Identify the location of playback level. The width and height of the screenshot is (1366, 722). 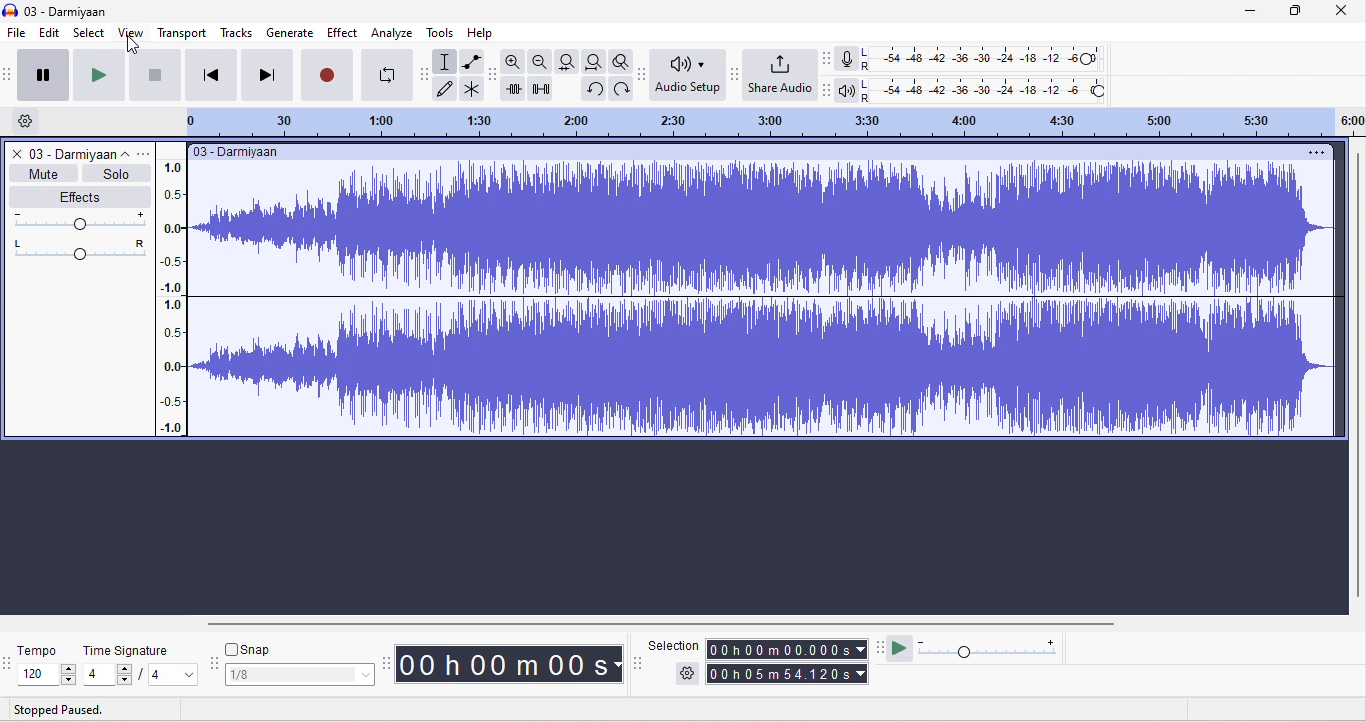
(1001, 92).